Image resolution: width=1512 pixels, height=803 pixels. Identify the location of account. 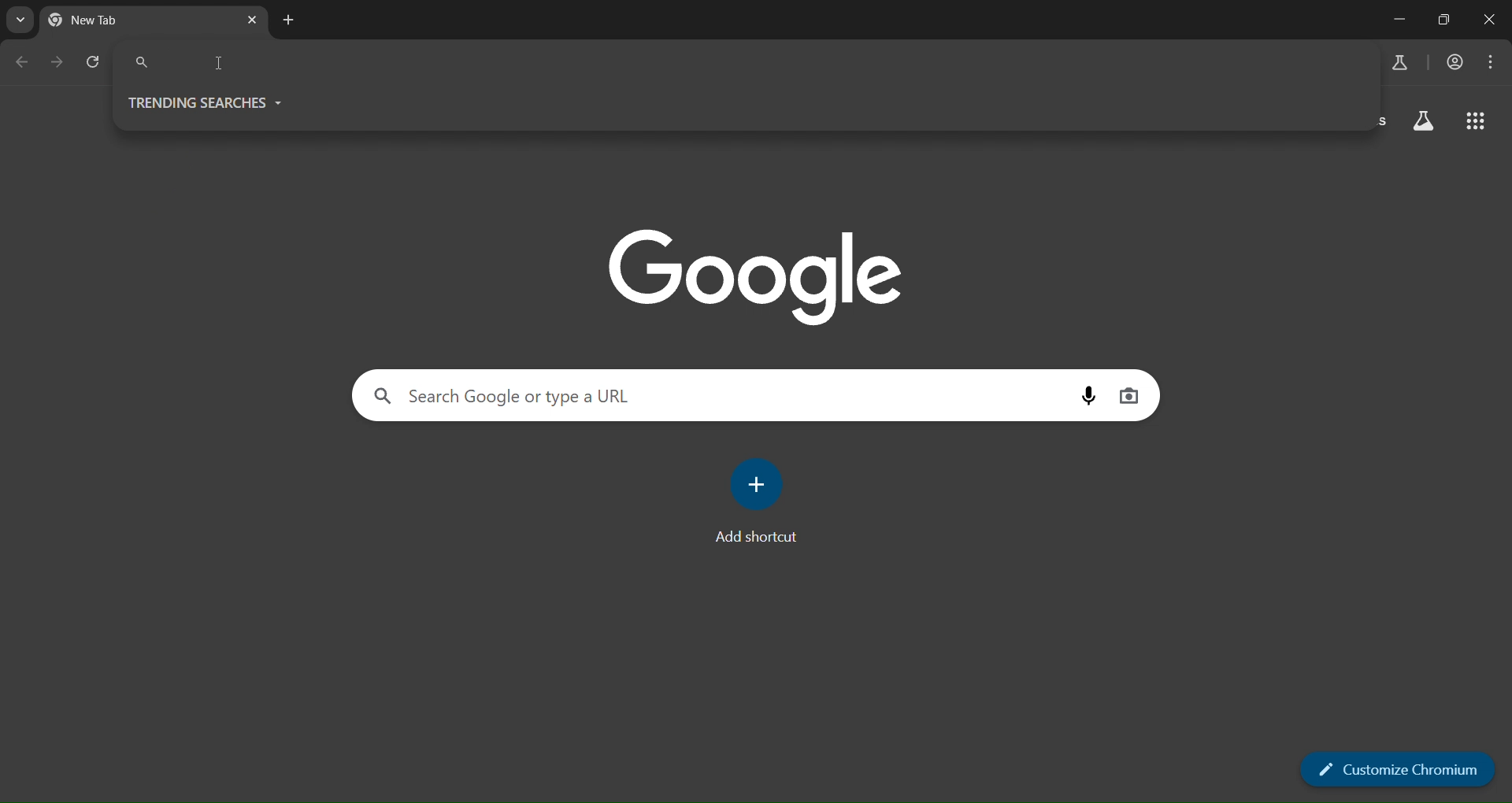
(1457, 62).